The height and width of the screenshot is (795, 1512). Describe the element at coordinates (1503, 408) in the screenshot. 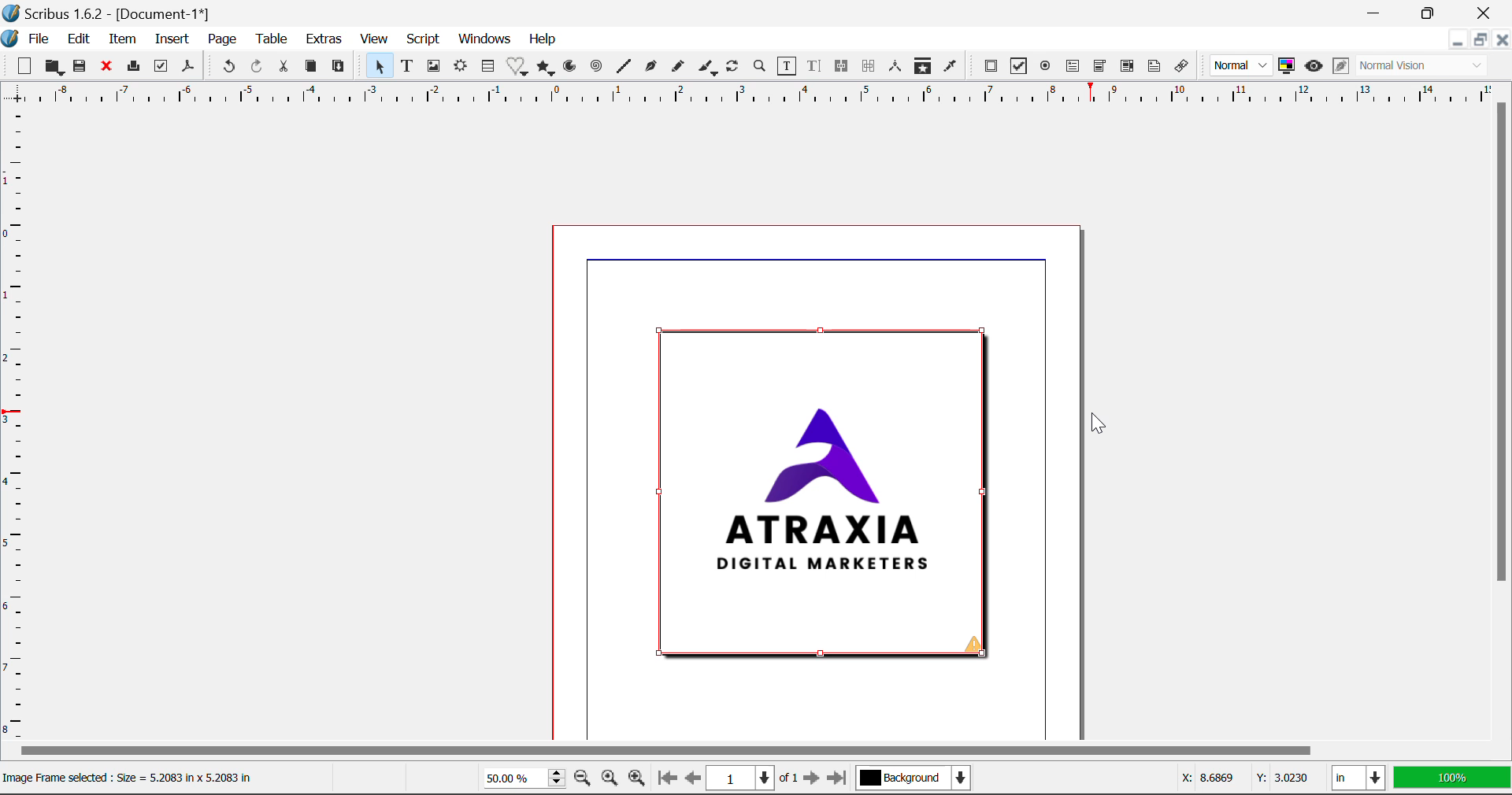

I see `Vertical Scroll Bar` at that location.